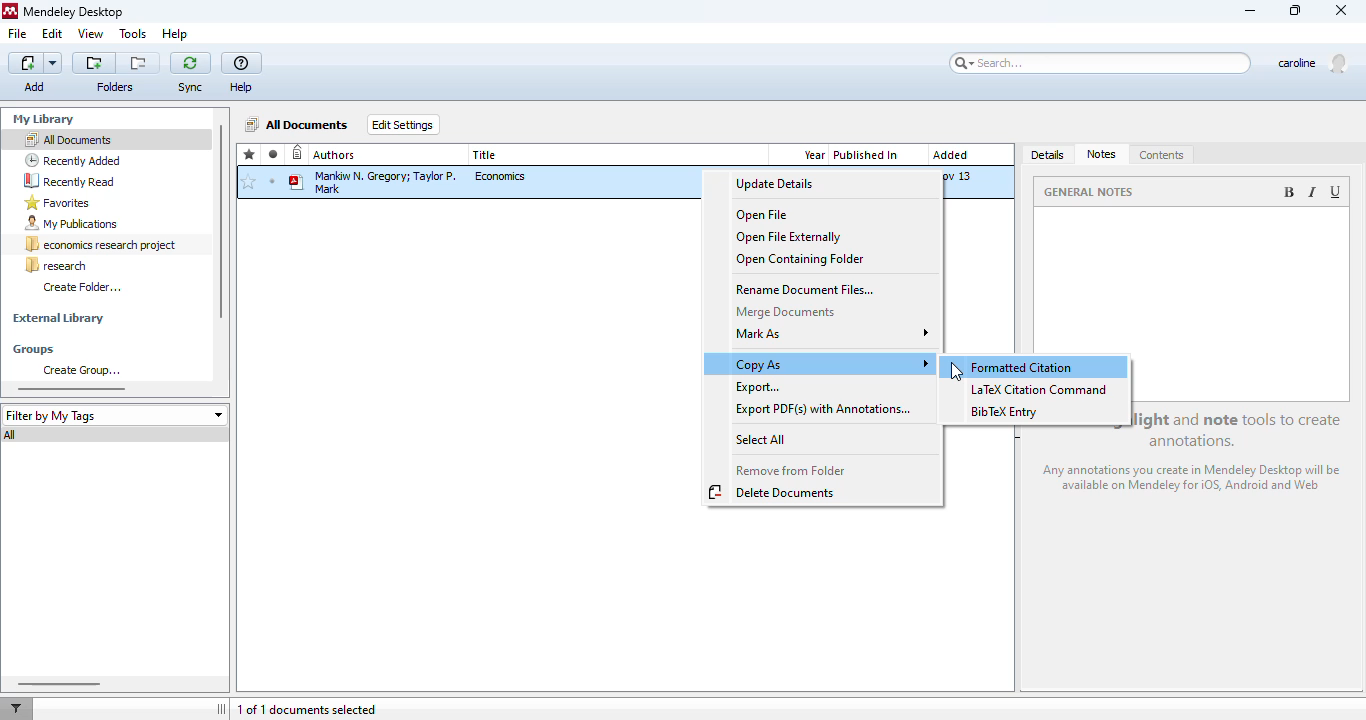 The width and height of the screenshot is (1366, 720). Describe the element at coordinates (1195, 480) in the screenshot. I see `any annotations you create in Mendeley Desktop will be available on Mendeley for iOS, android and web.` at that location.